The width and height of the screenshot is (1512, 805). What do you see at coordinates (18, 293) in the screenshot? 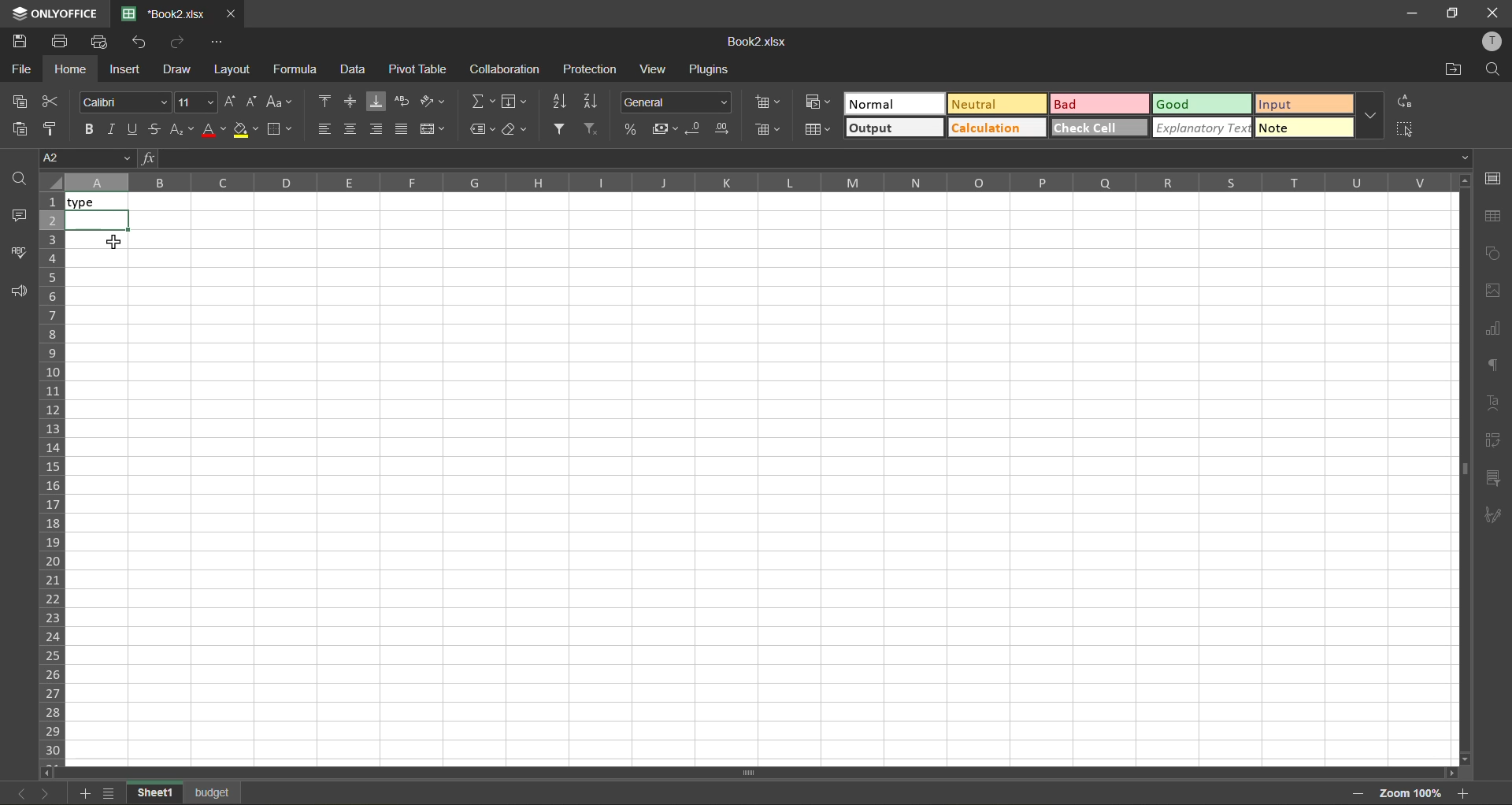
I see `feedback` at bounding box center [18, 293].